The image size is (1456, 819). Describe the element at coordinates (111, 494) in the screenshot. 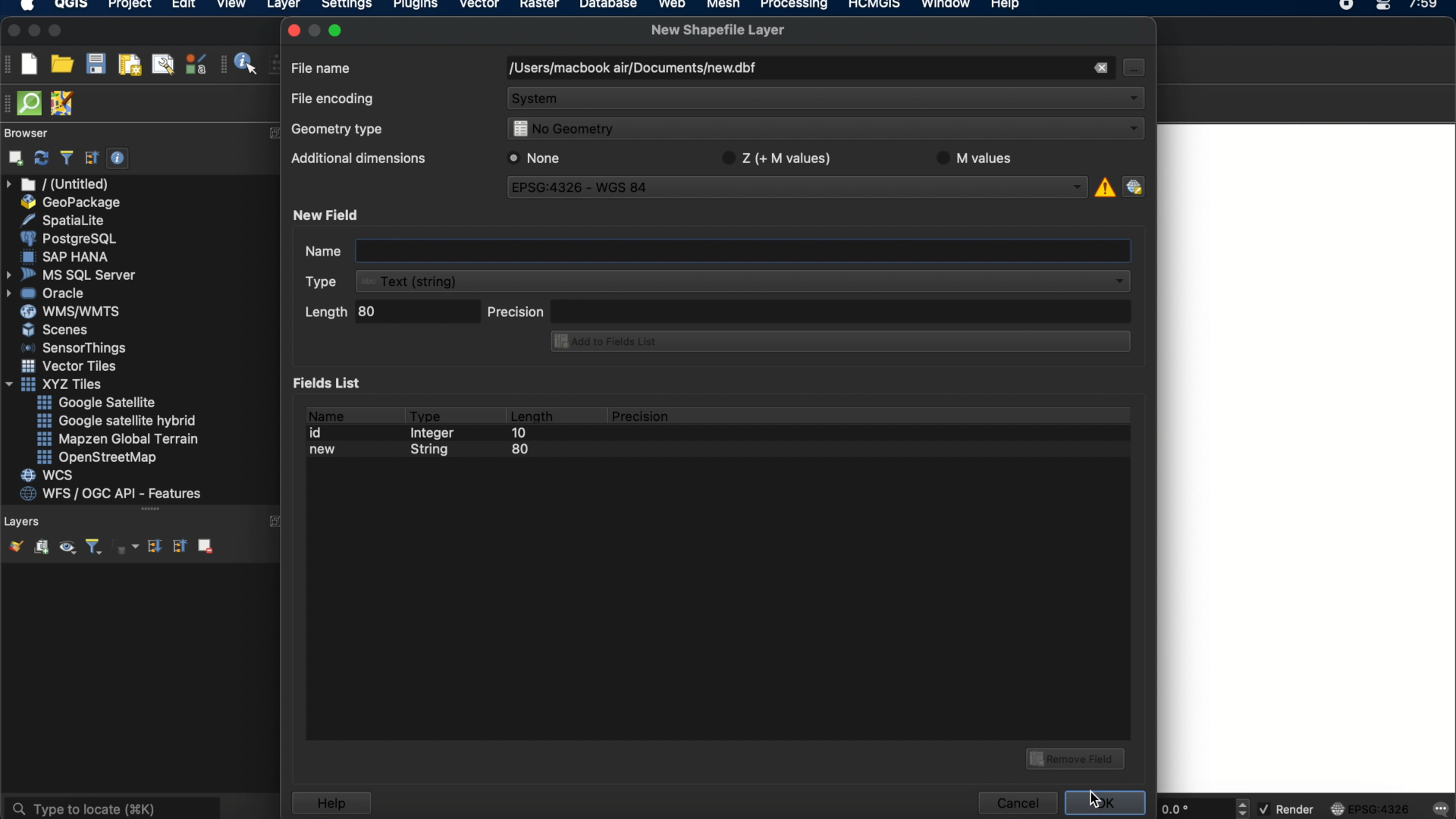

I see `was/ogc api- features` at that location.